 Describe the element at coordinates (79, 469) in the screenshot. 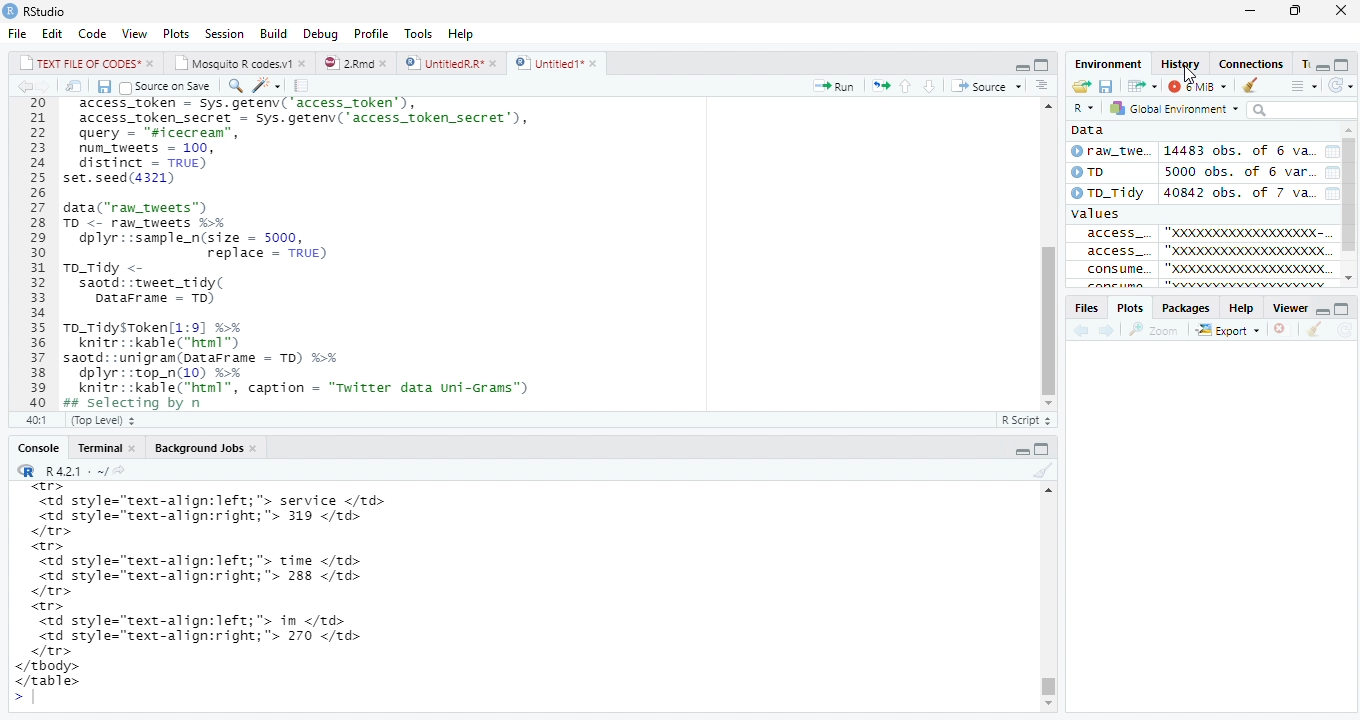

I see `“R R421: ~/` at that location.